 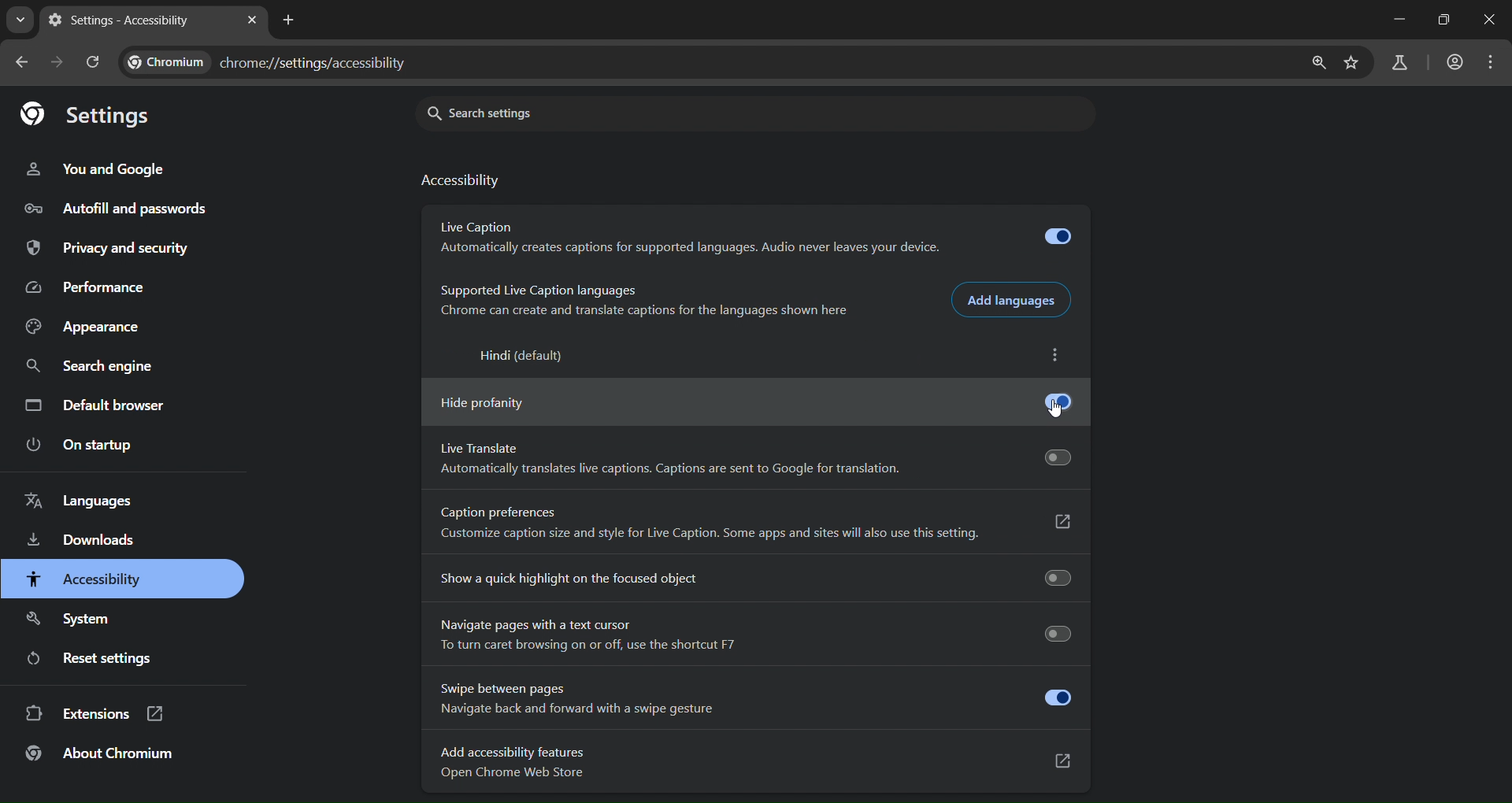 What do you see at coordinates (462, 181) in the screenshot?
I see `accessibility` at bounding box center [462, 181].